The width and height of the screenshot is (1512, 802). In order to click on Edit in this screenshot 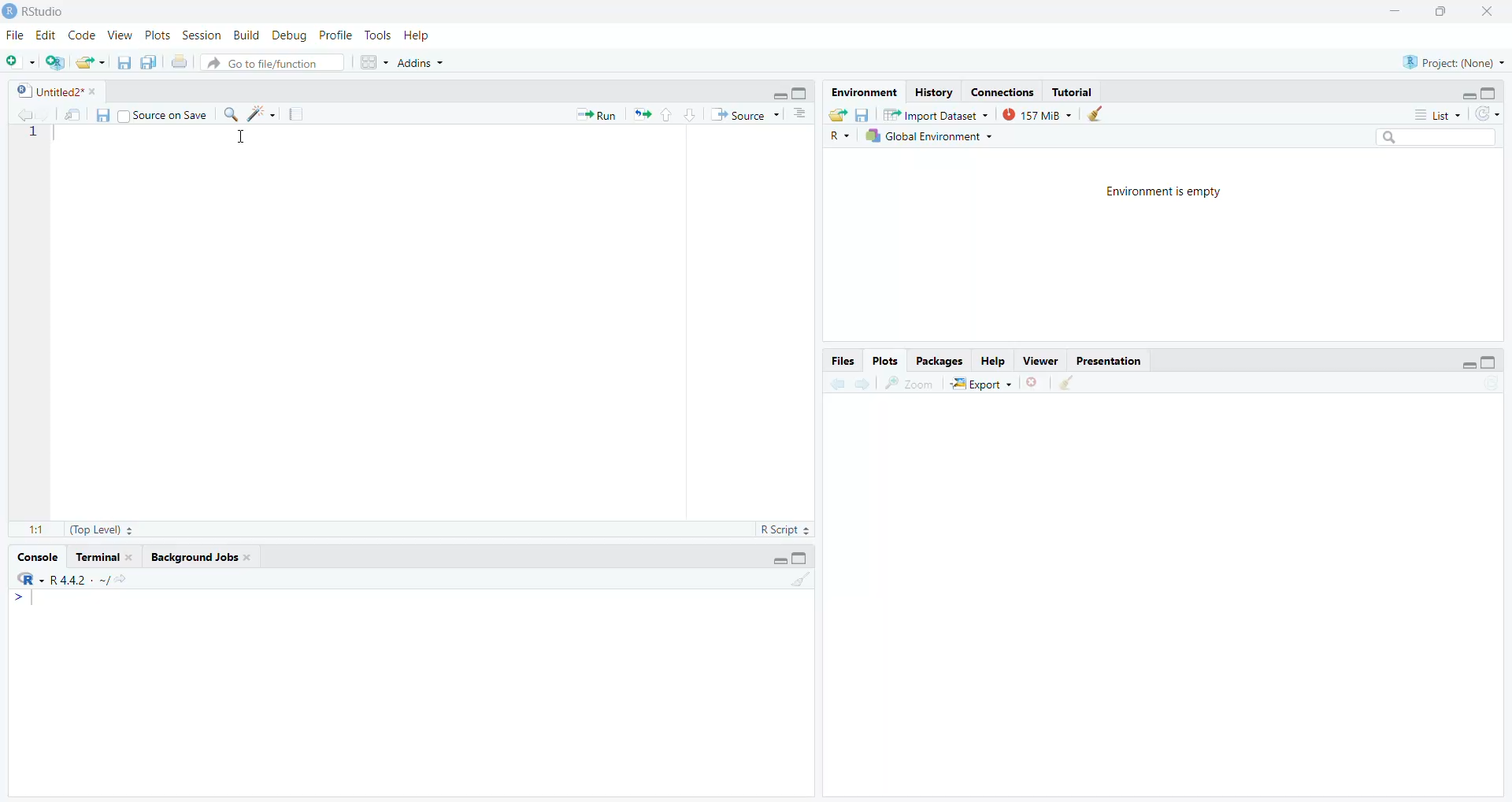, I will do `click(46, 34)`.